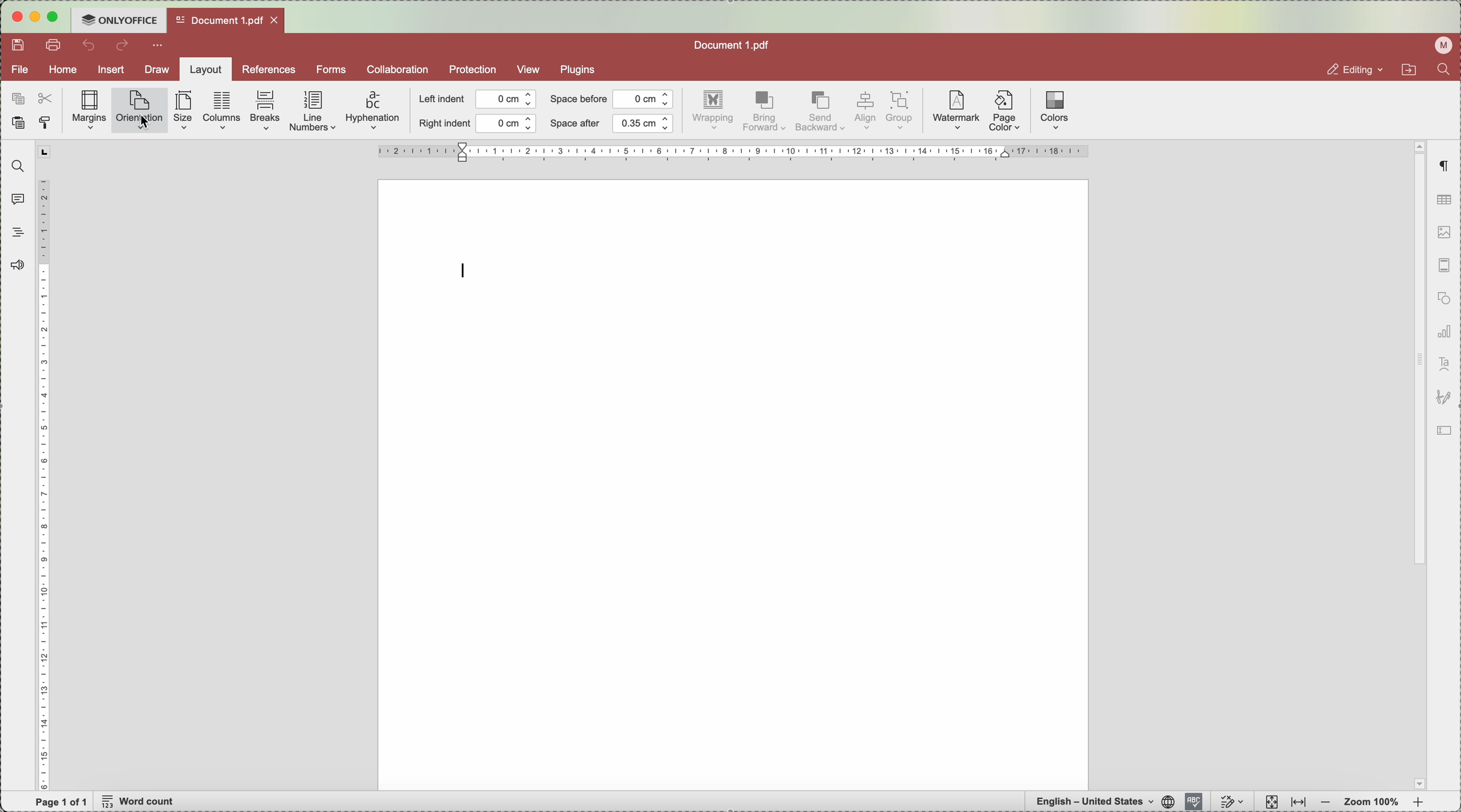 The height and width of the screenshot is (812, 1461). I want to click on print, so click(56, 46).